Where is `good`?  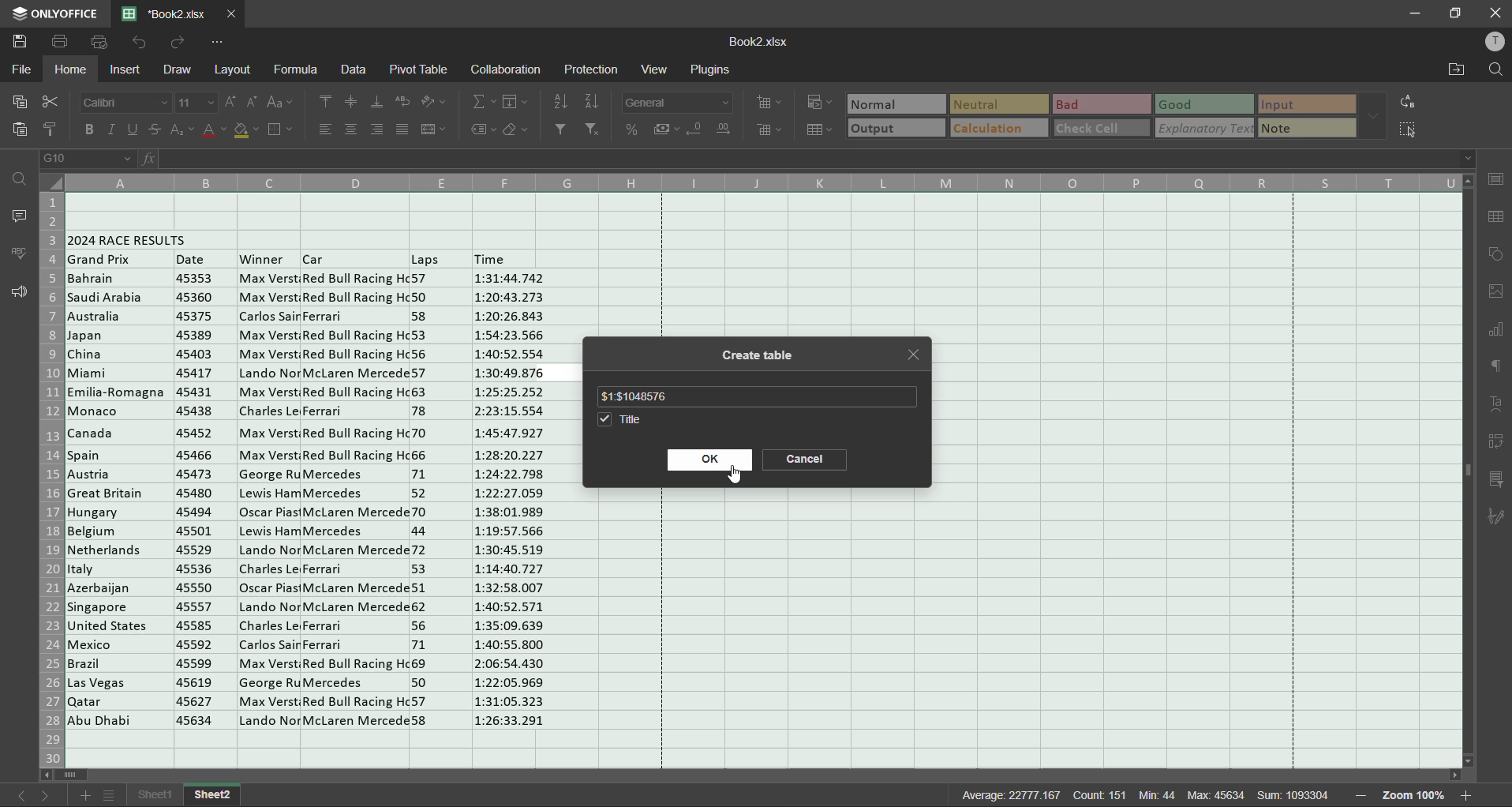 good is located at coordinates (1204, 104).